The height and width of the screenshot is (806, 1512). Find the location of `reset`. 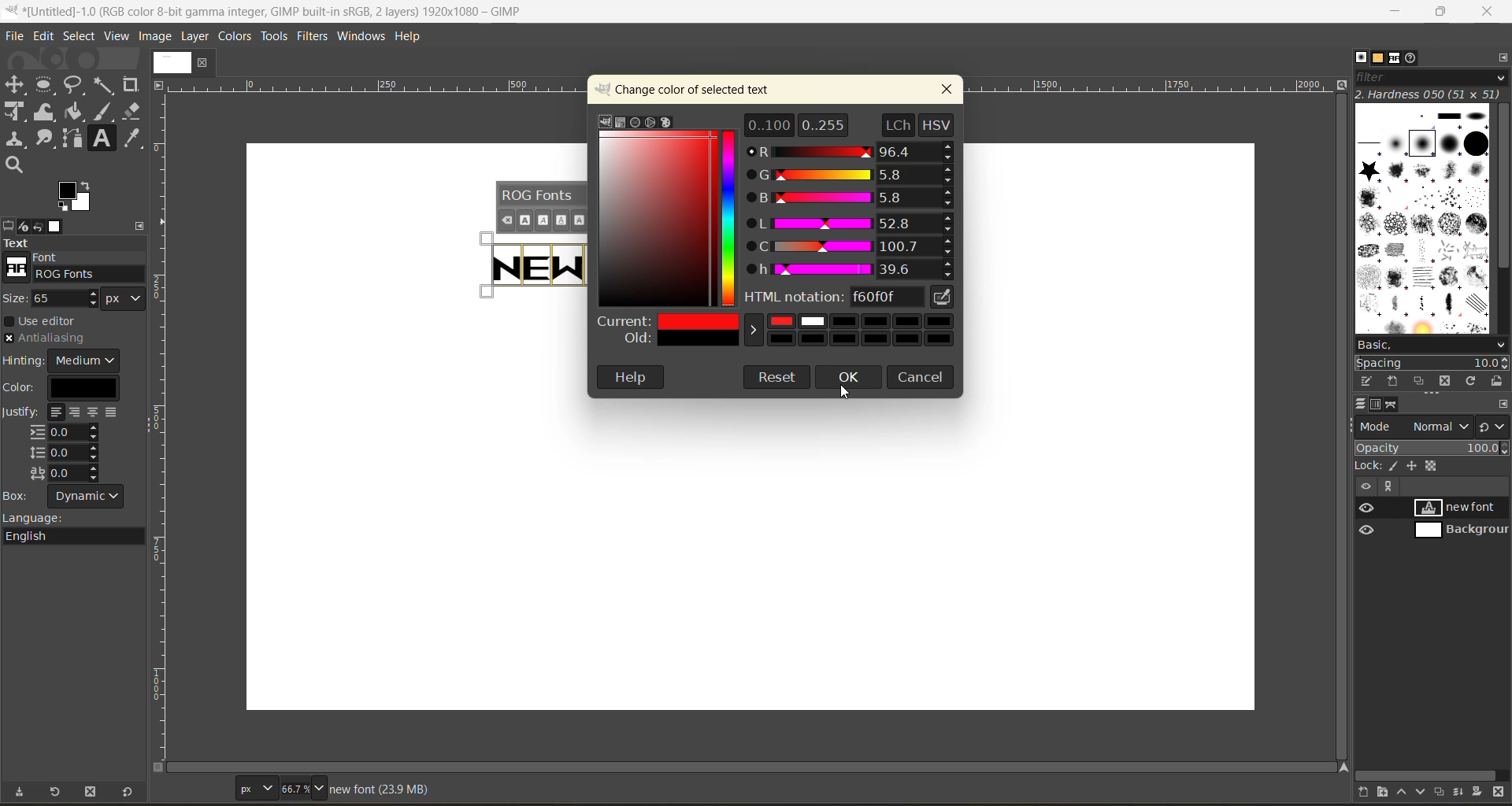

reset is located at coordinates (132, 790).